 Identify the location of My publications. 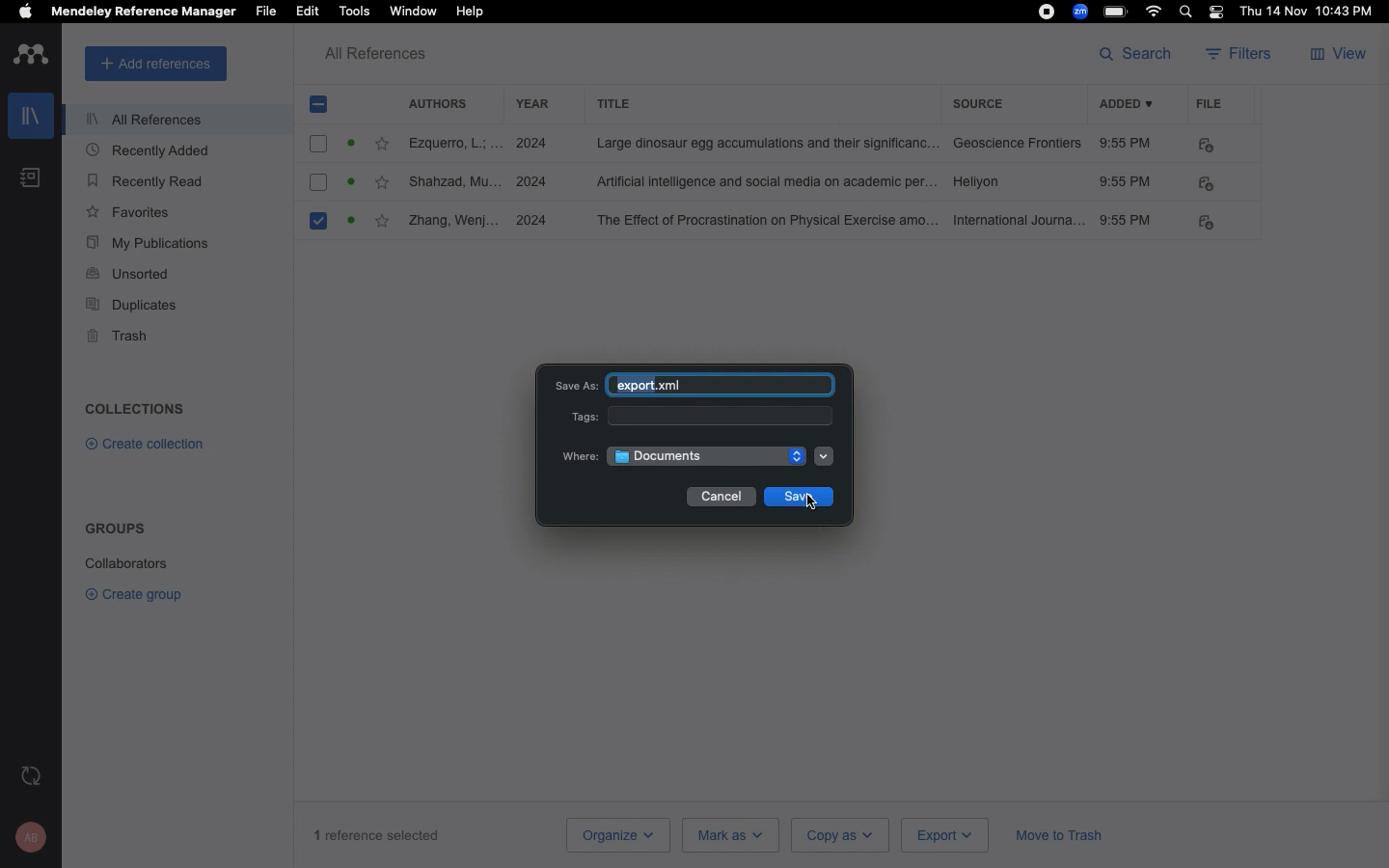
(152, 244).